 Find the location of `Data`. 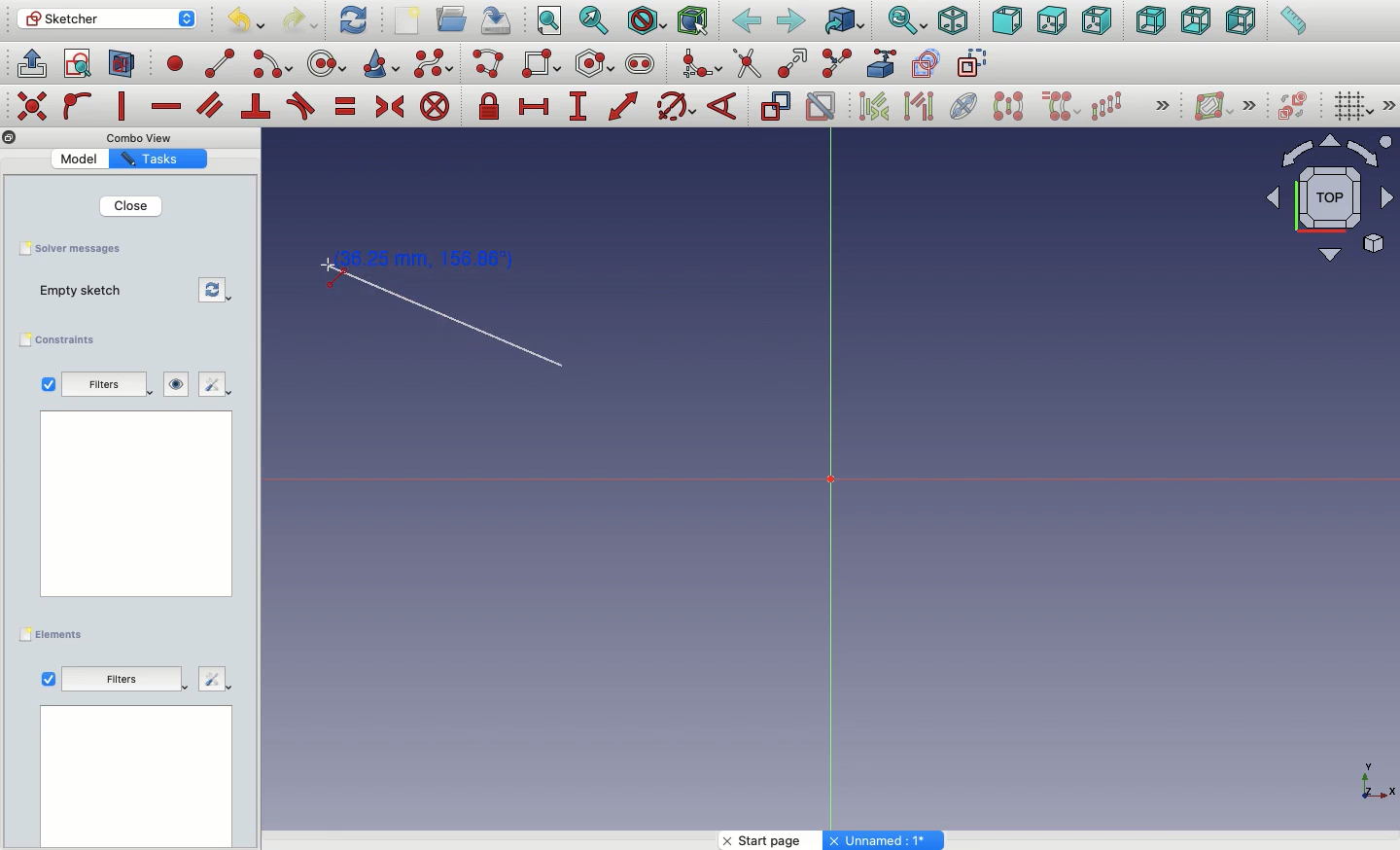

Data is located at coordinates (135, 775).